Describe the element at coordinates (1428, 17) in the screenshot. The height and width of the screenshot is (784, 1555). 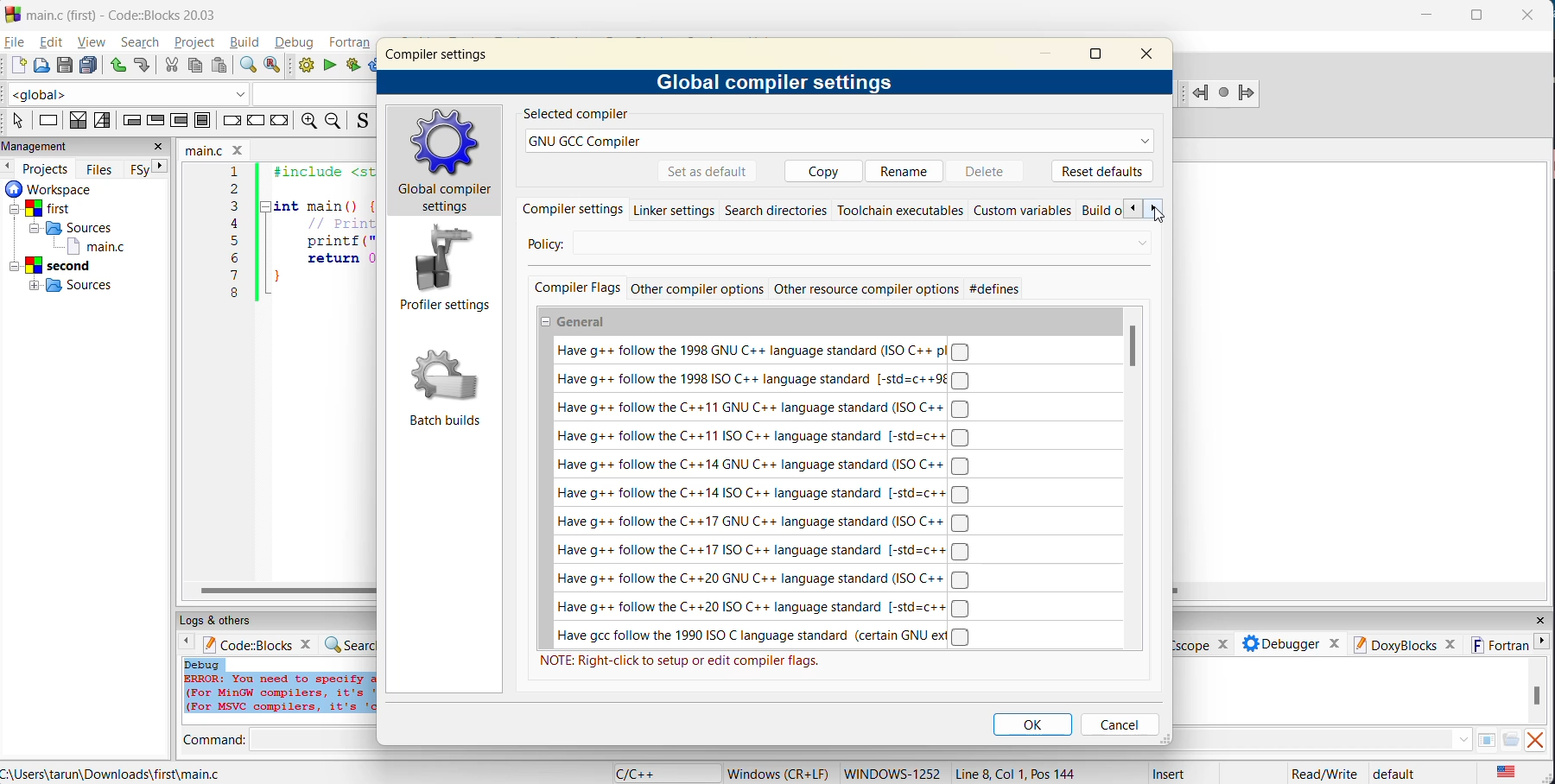
I see `minimize` at that location.